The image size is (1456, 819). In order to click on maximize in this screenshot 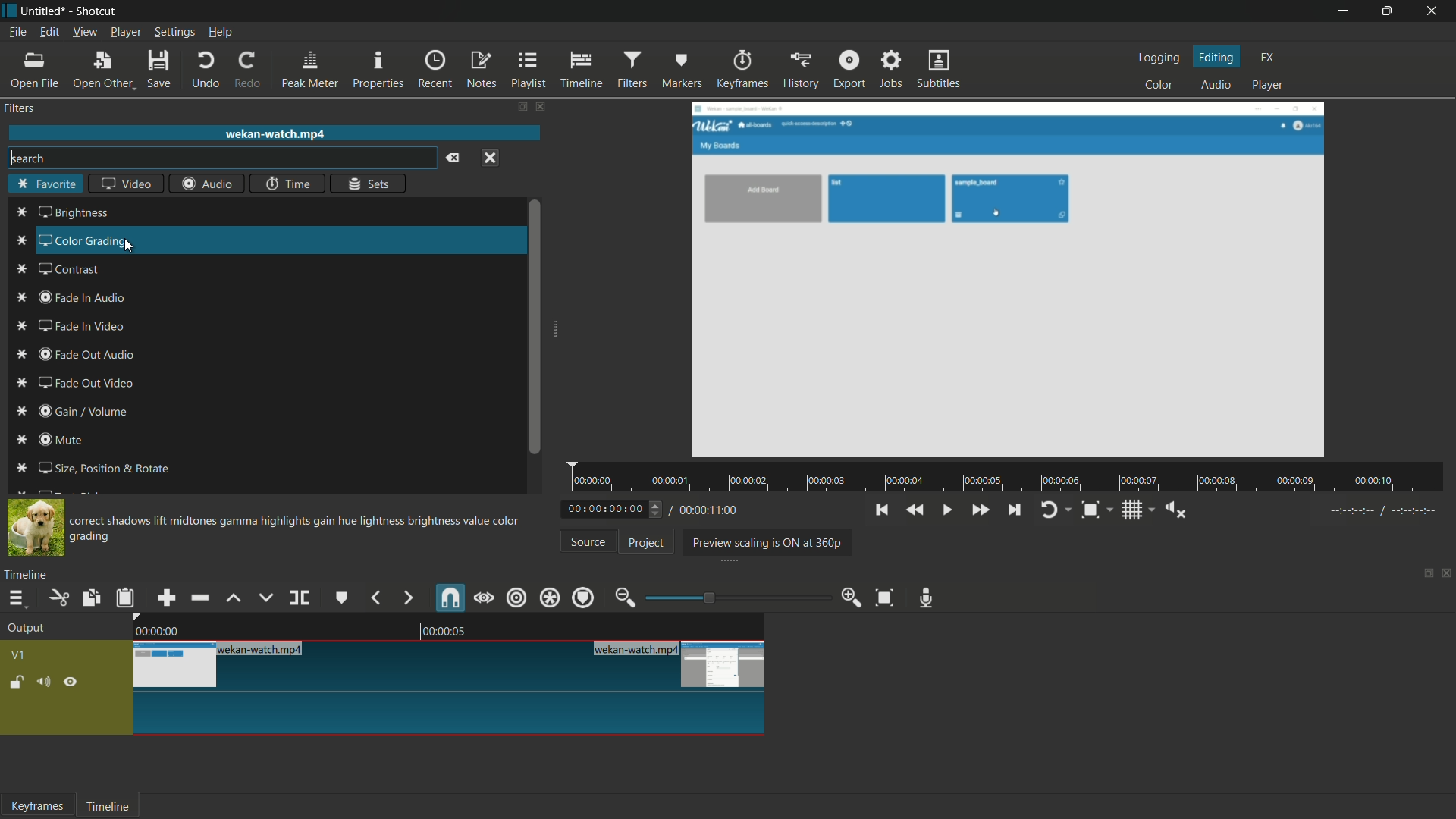, I will do `click(1389, 11)`.